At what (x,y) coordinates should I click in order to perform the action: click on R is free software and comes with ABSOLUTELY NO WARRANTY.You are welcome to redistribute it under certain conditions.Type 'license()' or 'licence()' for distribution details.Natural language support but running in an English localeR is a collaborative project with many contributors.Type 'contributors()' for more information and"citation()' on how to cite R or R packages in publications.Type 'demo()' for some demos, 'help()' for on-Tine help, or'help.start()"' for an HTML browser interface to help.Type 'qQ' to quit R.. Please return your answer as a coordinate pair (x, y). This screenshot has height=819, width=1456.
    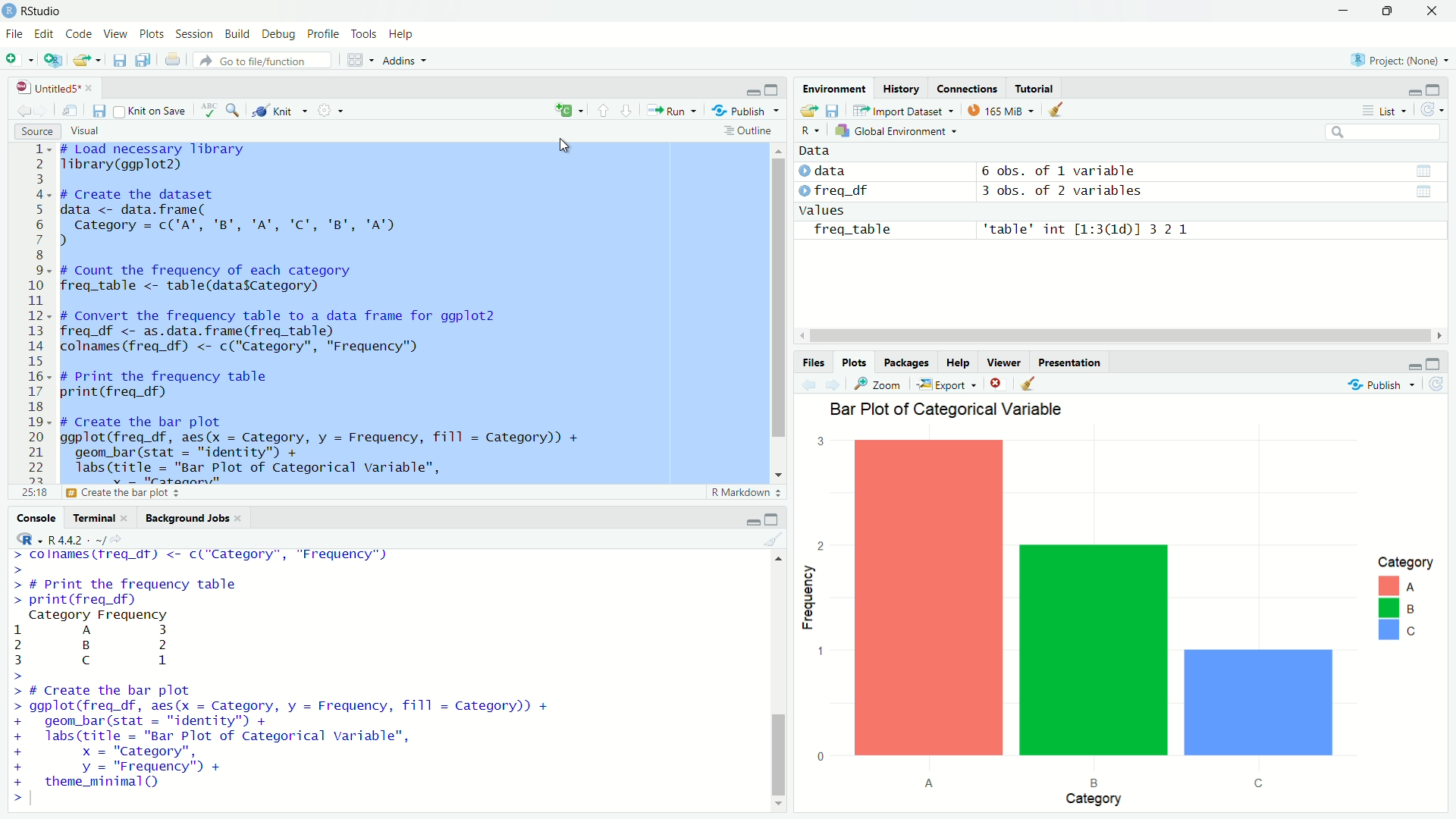
    Looking at the image, I should click on (266, 677).